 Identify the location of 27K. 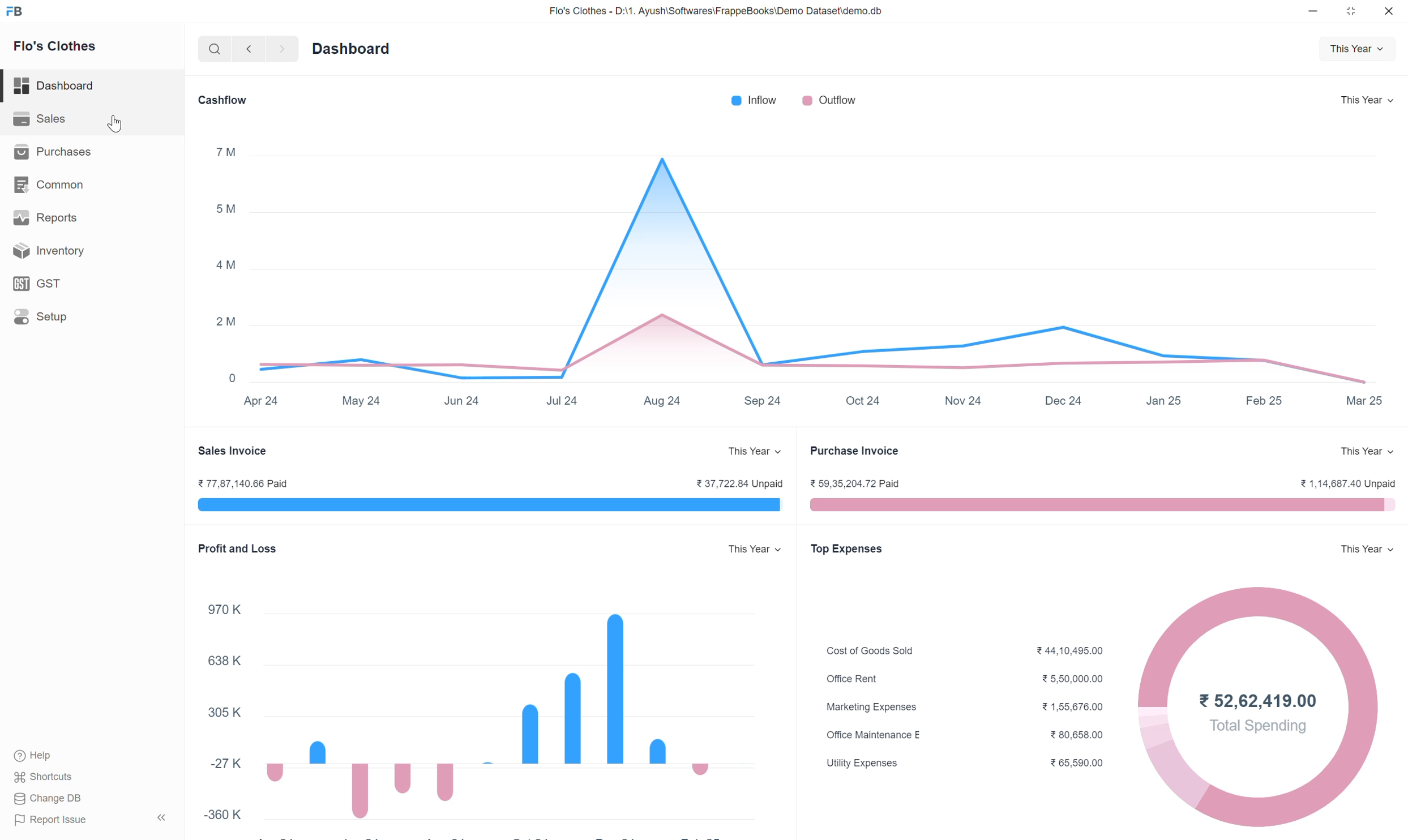
(228, 761).